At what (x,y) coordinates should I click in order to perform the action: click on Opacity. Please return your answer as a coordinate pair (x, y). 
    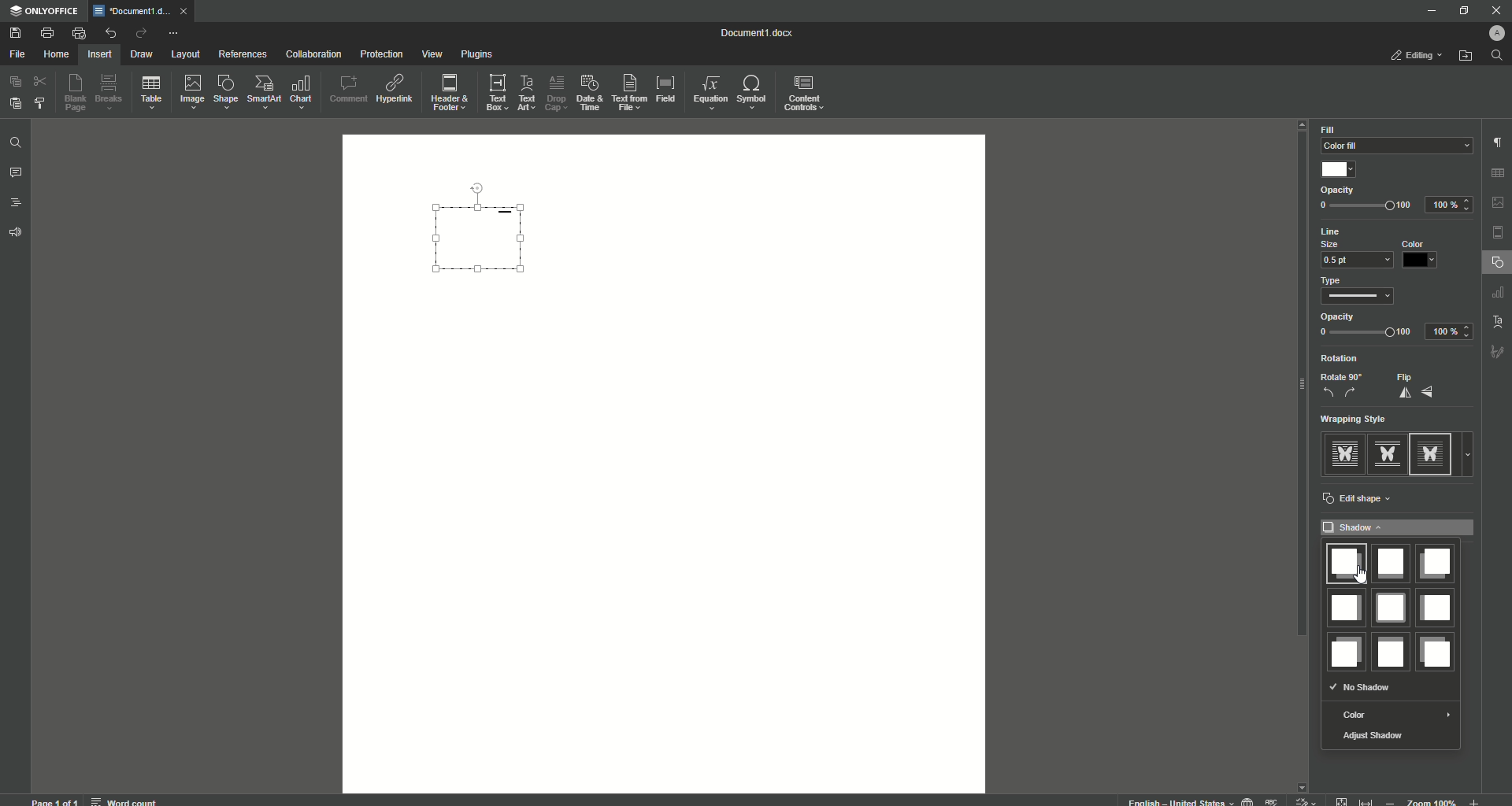
    Looking at the image, I should click on (1339, 316).